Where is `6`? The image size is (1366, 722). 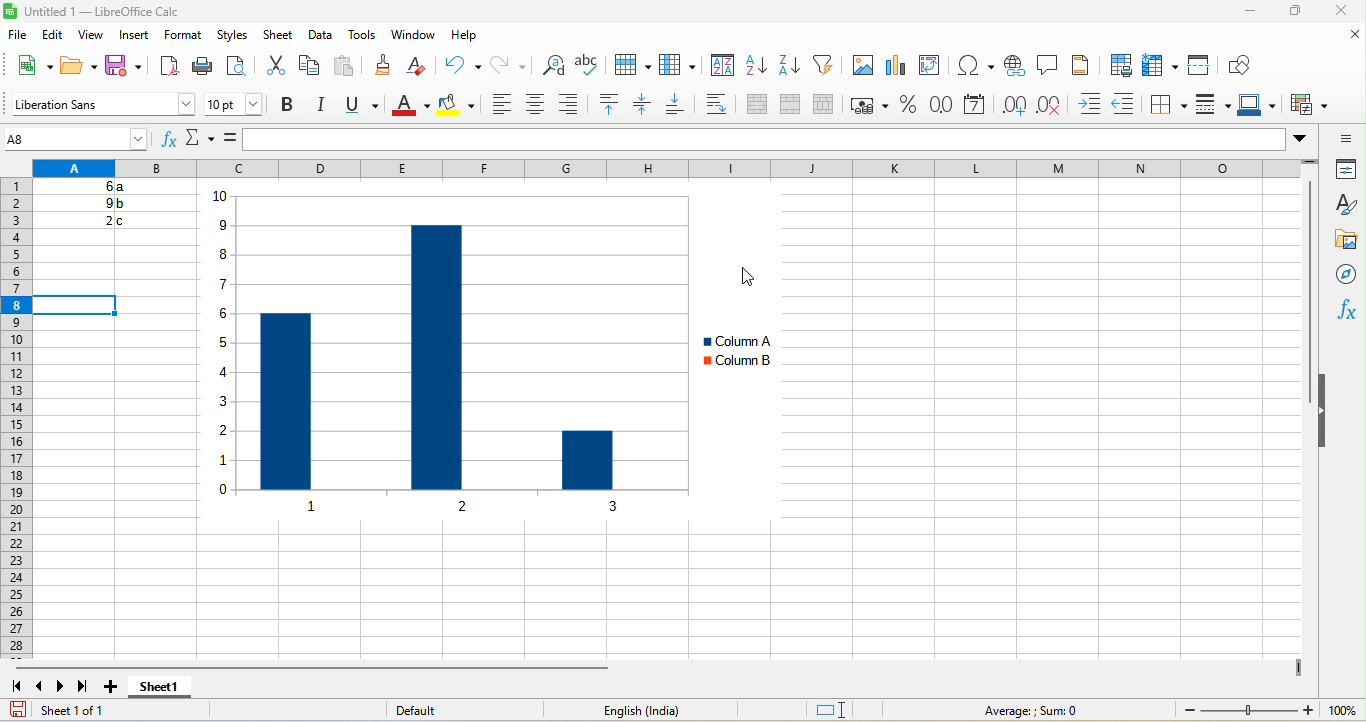
6 is located at coordinates (89, 188).